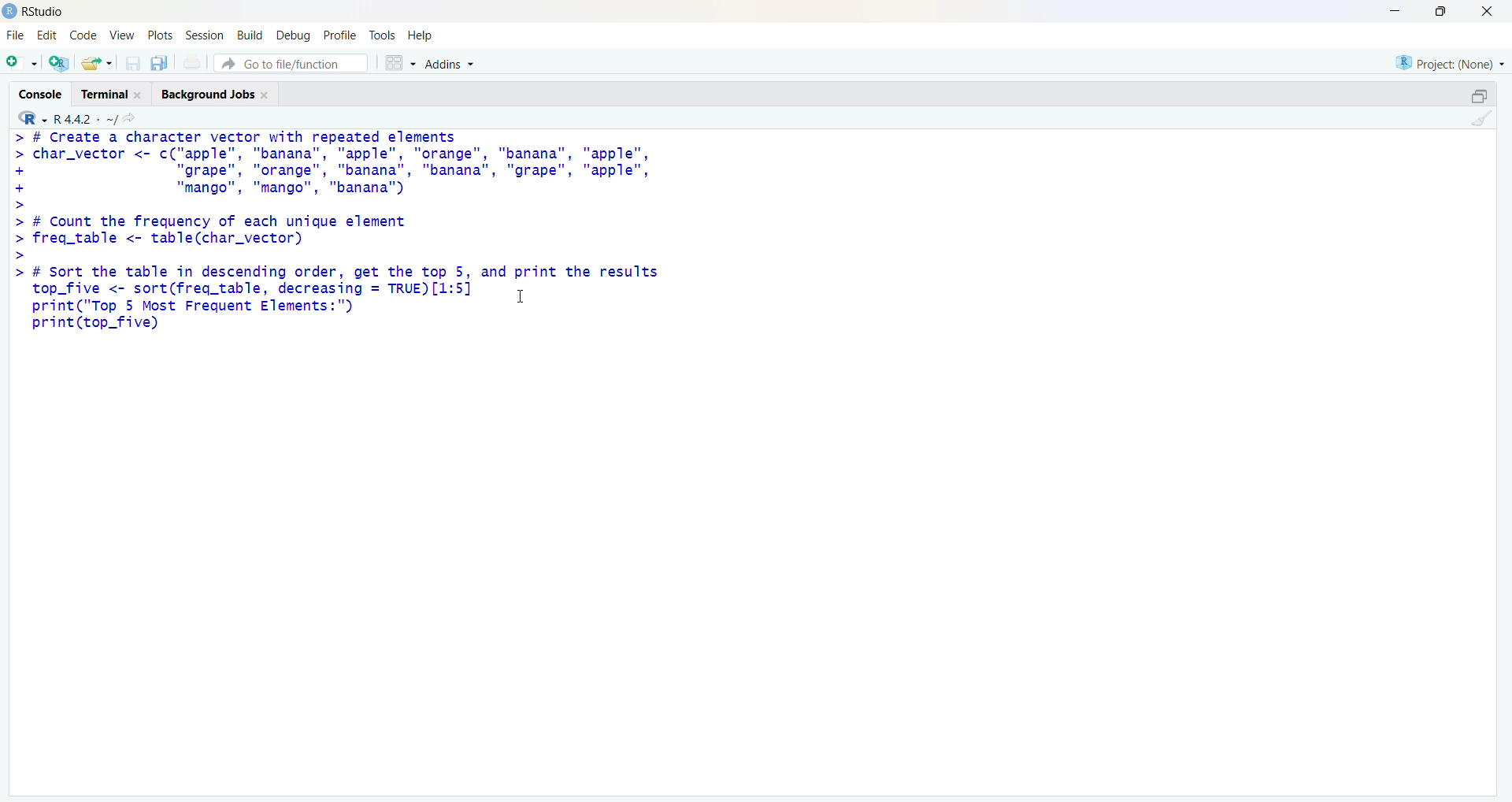 This screenshot has height=802, width=1512. What do you see at coordinates (43, 92) in the screenshot?
I see `Console` at bounding box center [43, 92].